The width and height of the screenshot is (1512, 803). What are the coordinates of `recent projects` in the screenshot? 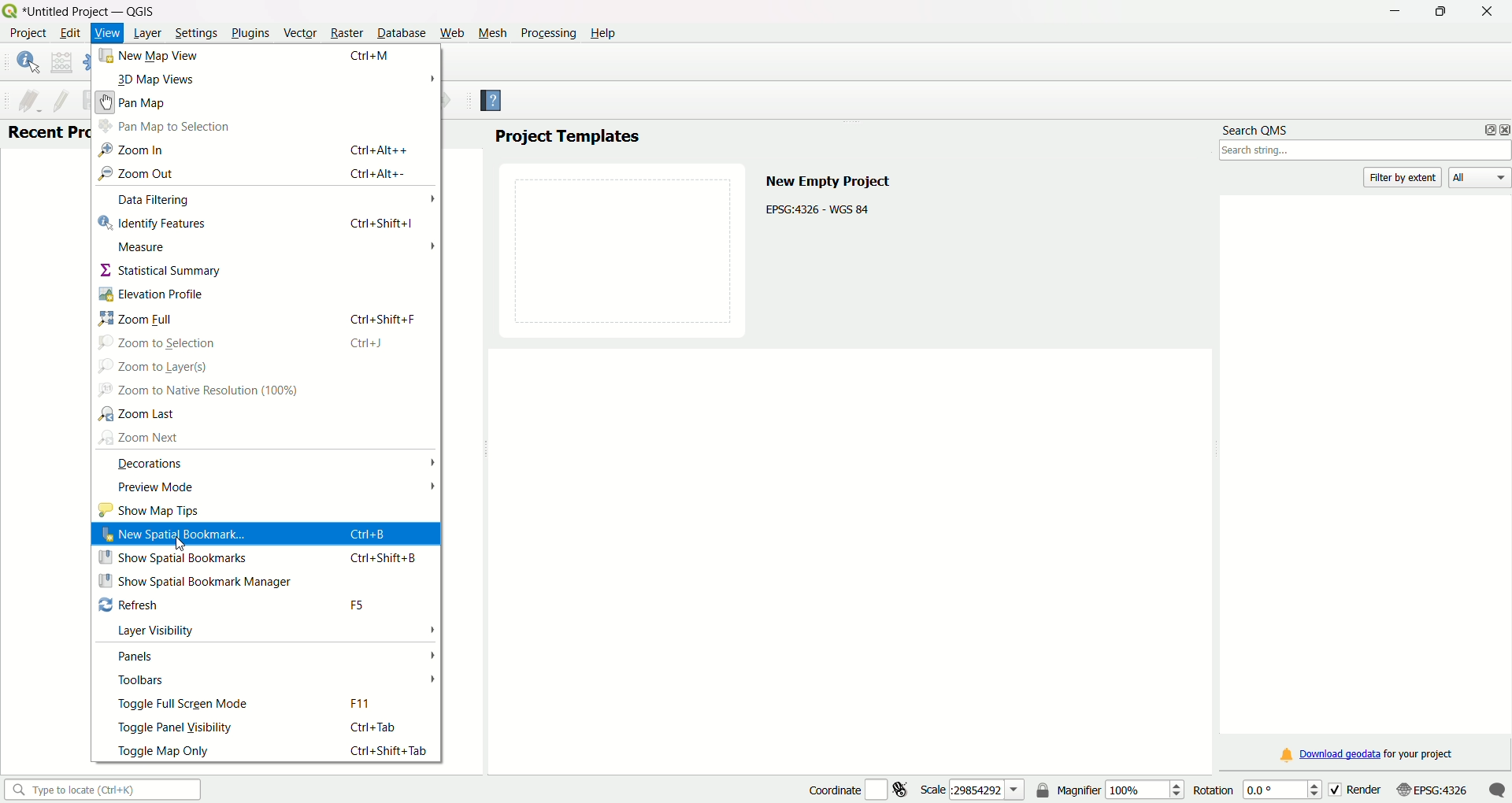 It's located at (47, 133).